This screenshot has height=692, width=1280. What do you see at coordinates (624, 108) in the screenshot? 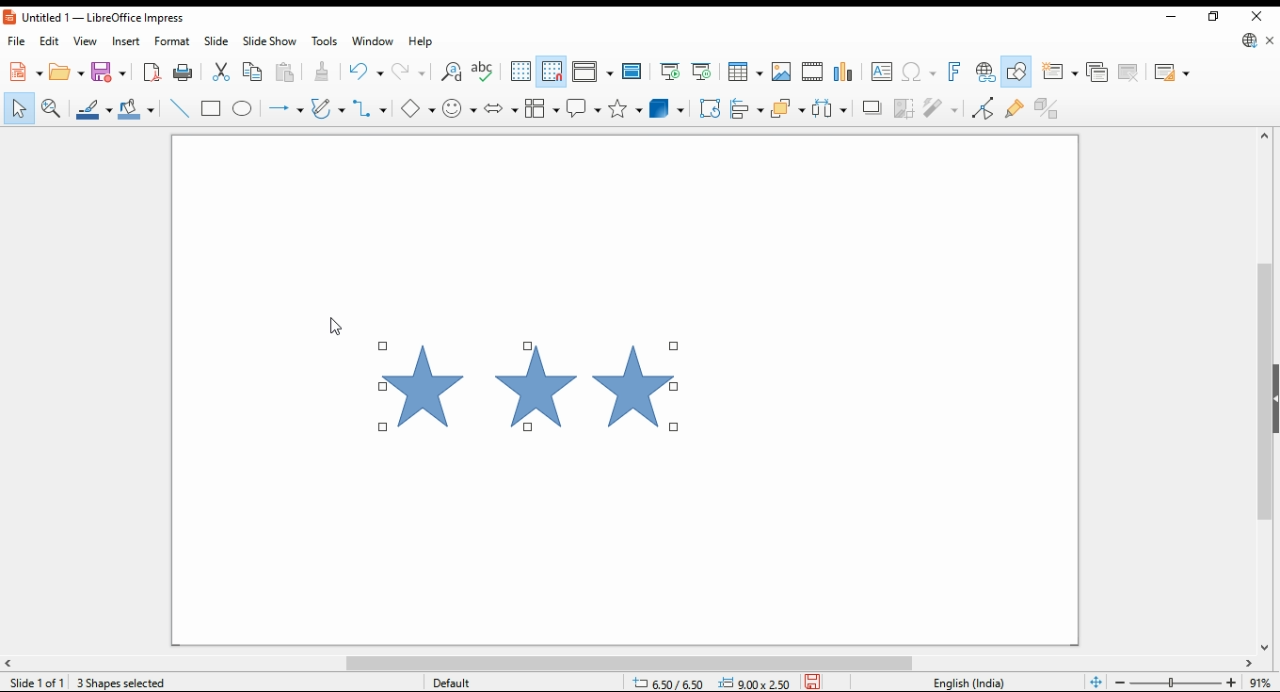
I see `stars and banners` at bounding box center [624, 108].